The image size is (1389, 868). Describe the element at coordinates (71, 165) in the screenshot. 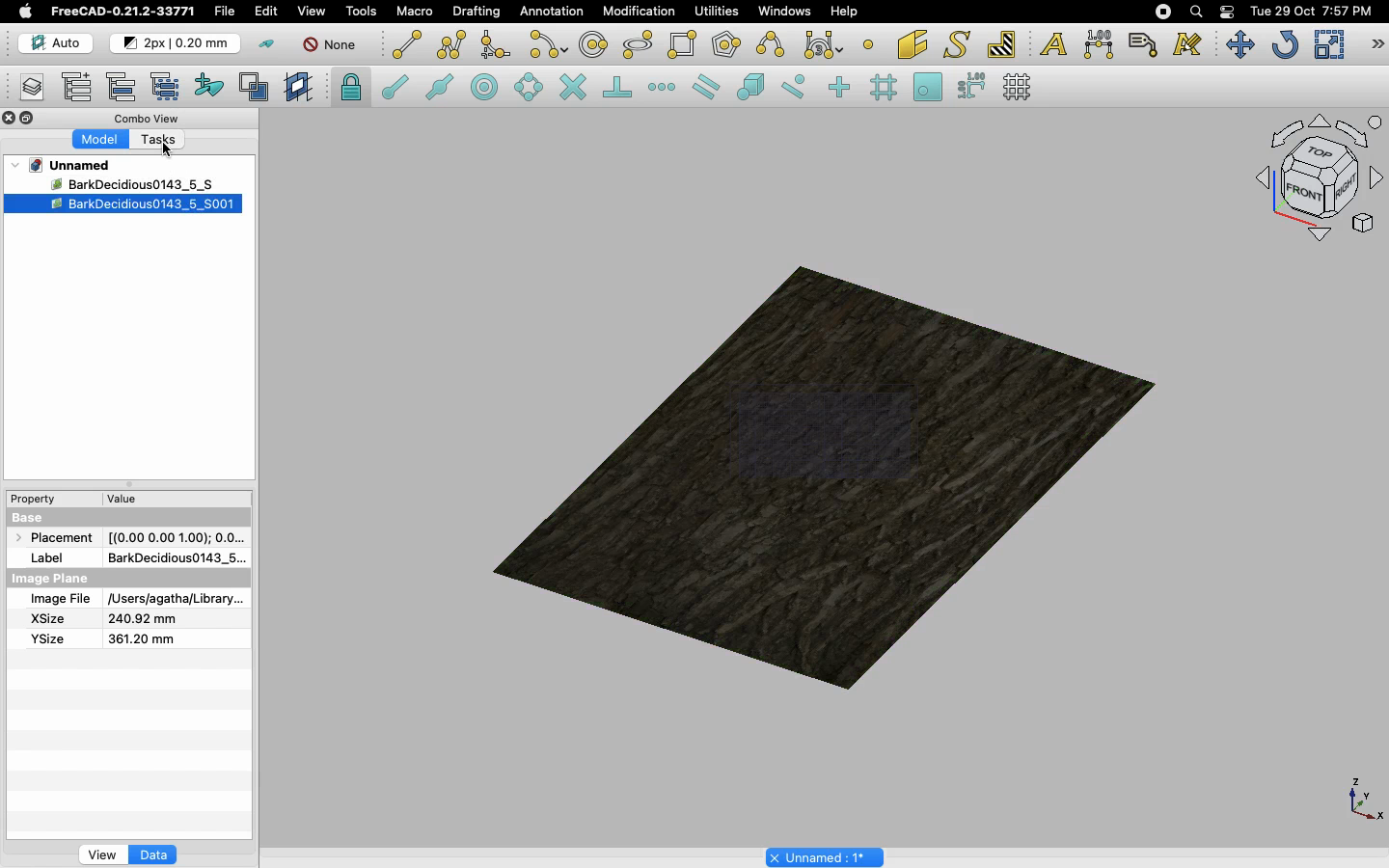

I see `Project` at that location.